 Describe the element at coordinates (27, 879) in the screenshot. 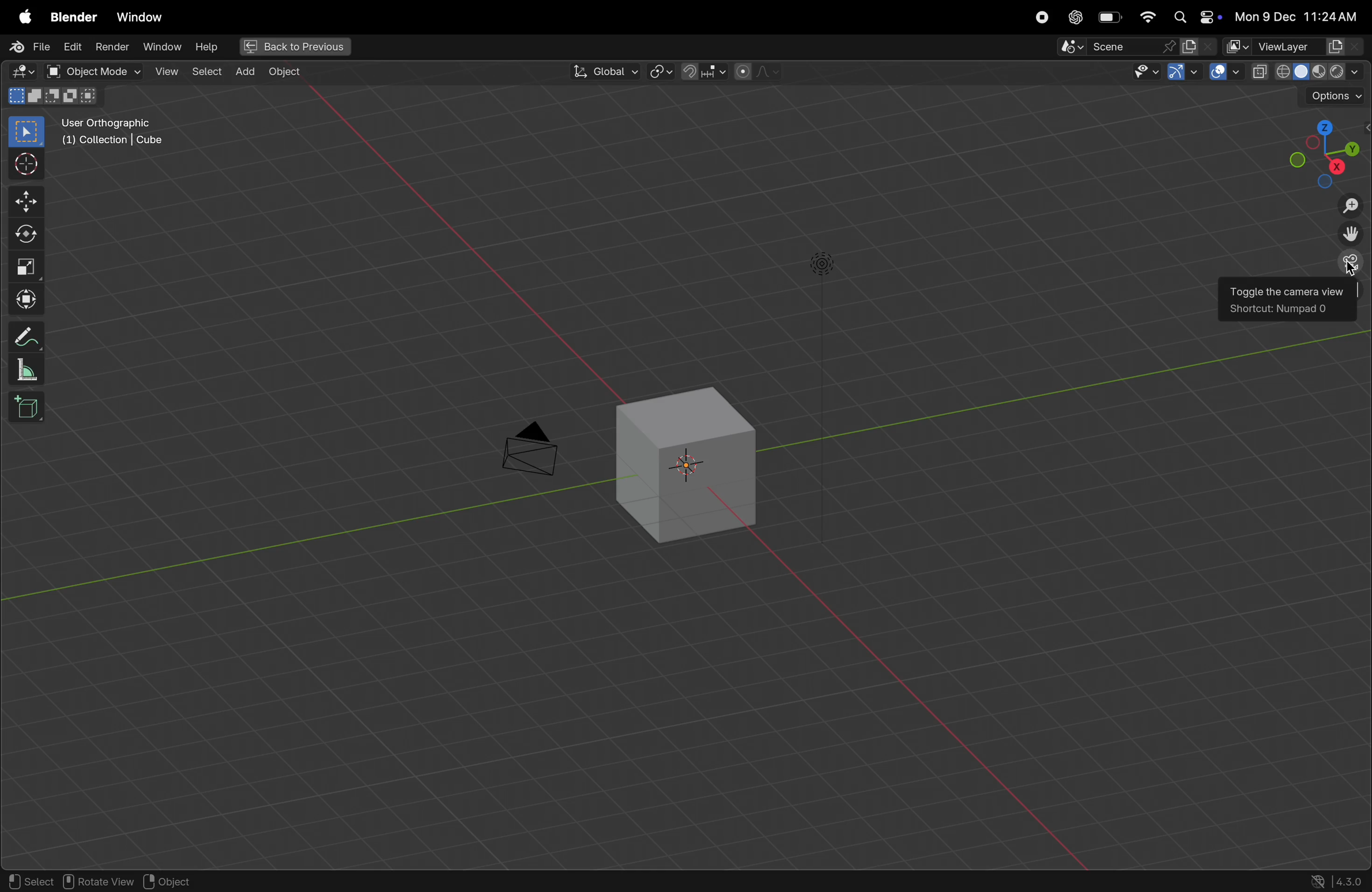

I see `select` at that location.